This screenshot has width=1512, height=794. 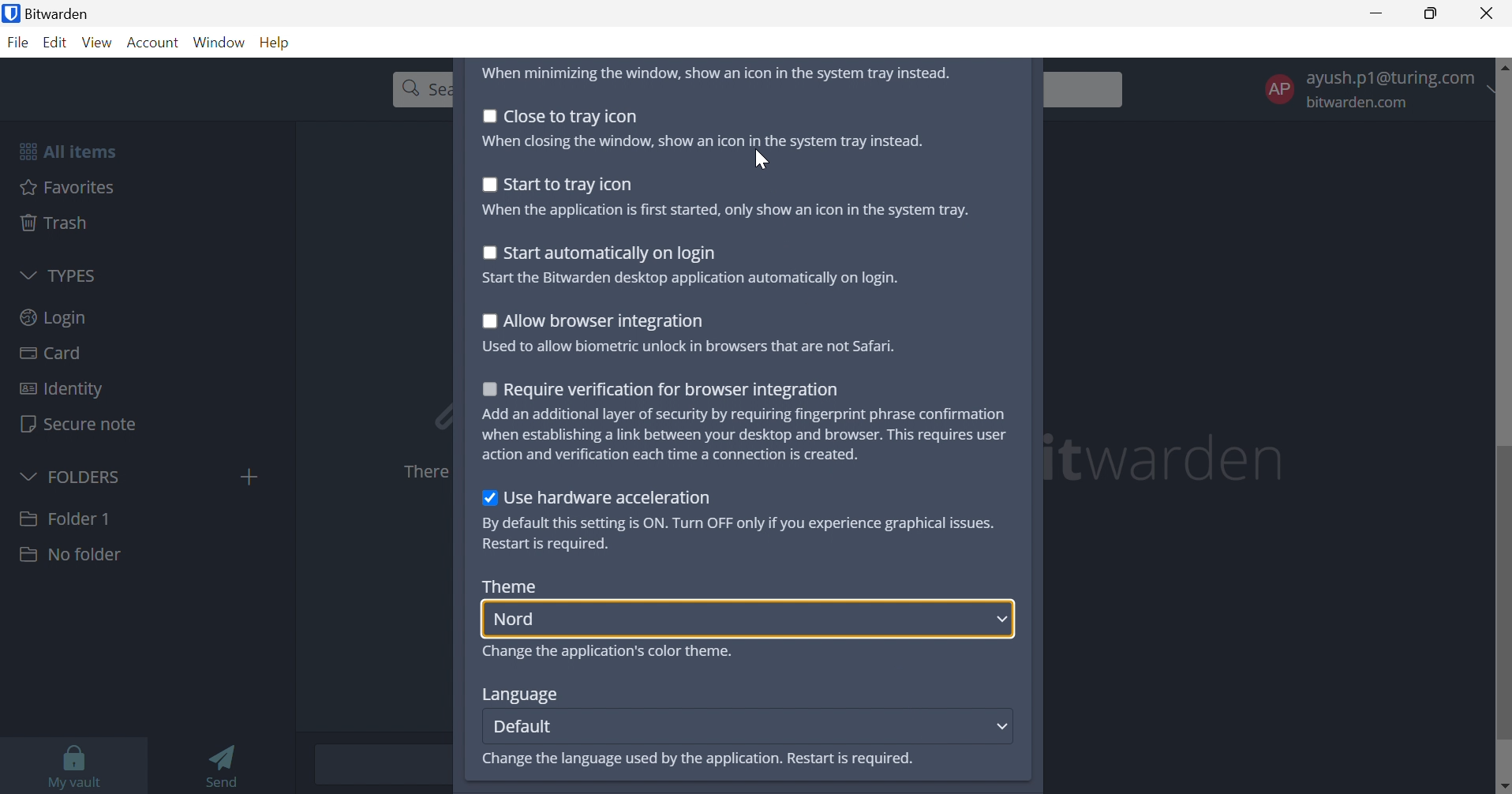 I want to click on Used to allow biometric unlock in browsers that are not Safari, so click(x=688, y=346).